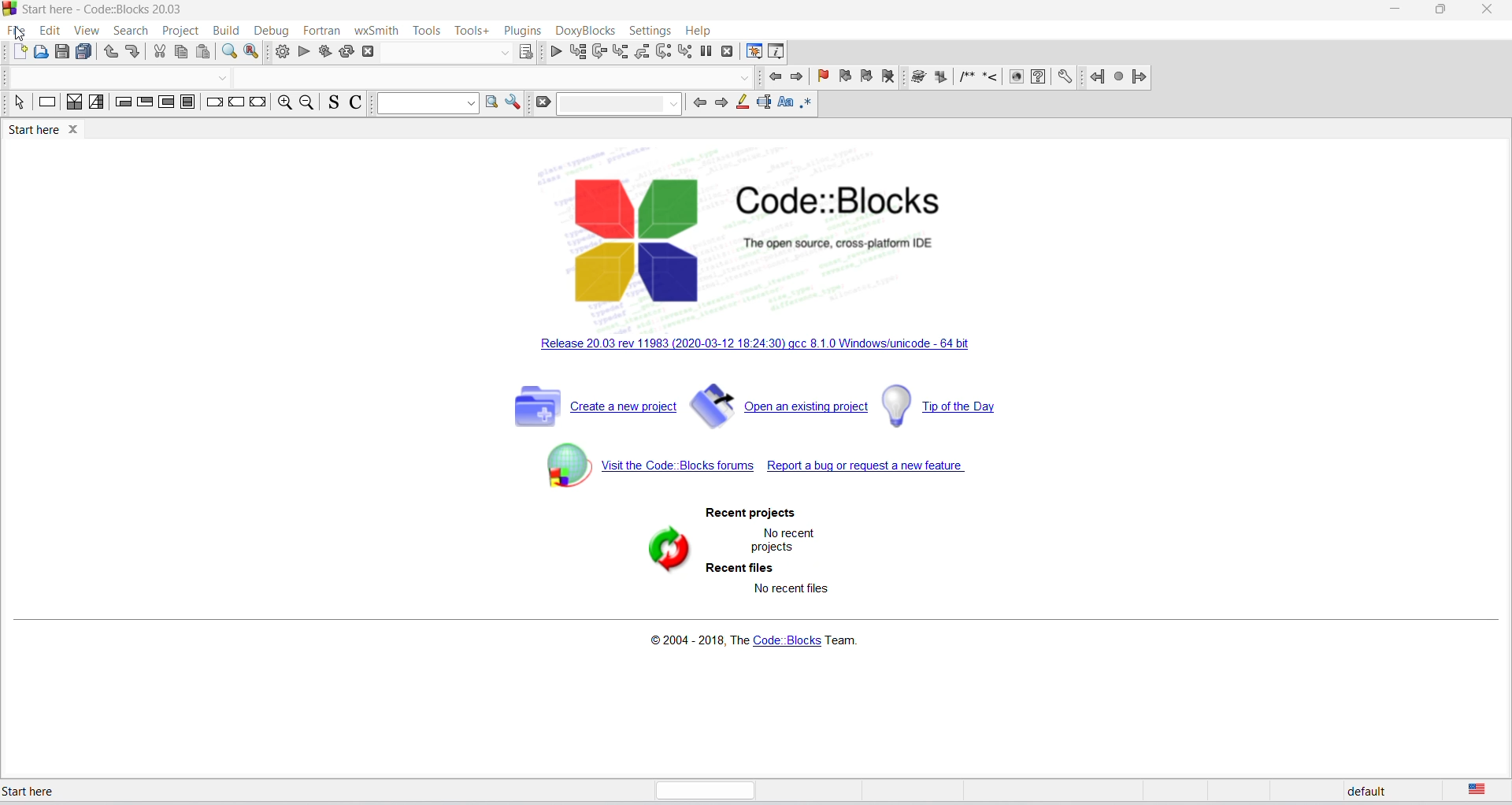 Image resolution: width=1512 pixels, height=805 pixels. I want to click on run to cursot, so click(576, 52).